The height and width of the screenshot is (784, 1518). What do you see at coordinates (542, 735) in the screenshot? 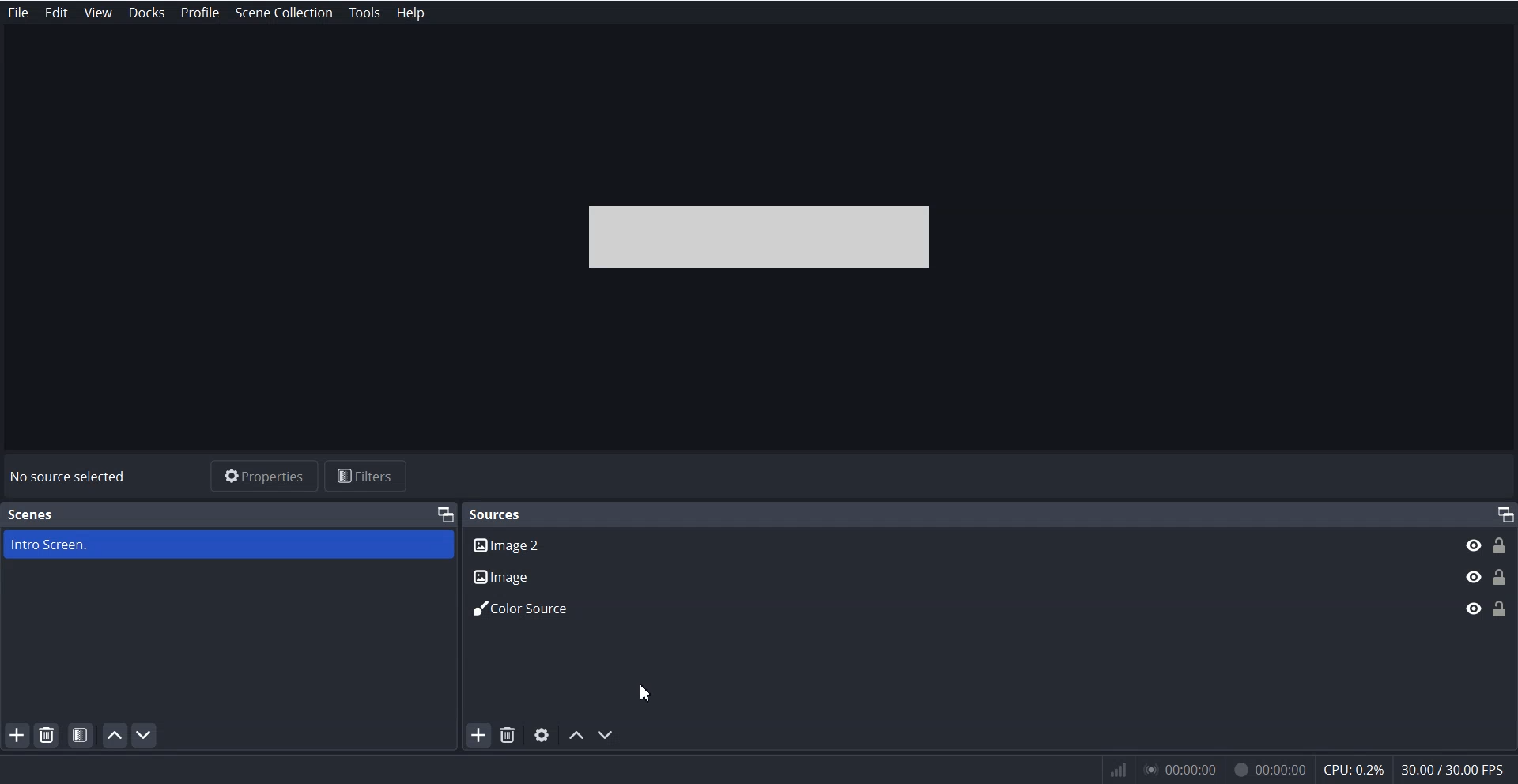
I see `Open source properties` at bounding box center [542, 735].